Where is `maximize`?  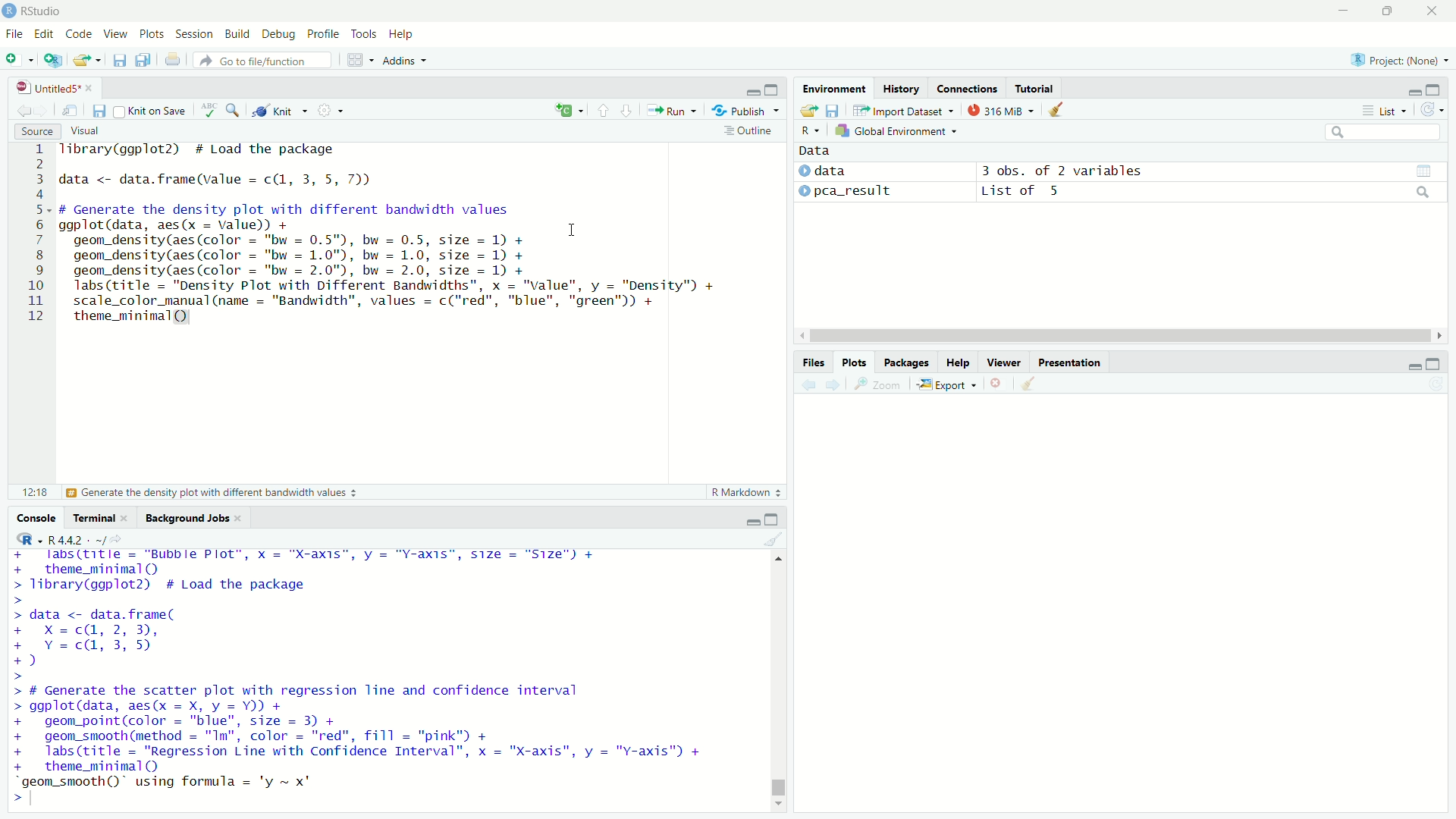
maximize is located at coordinates (1433, 89).